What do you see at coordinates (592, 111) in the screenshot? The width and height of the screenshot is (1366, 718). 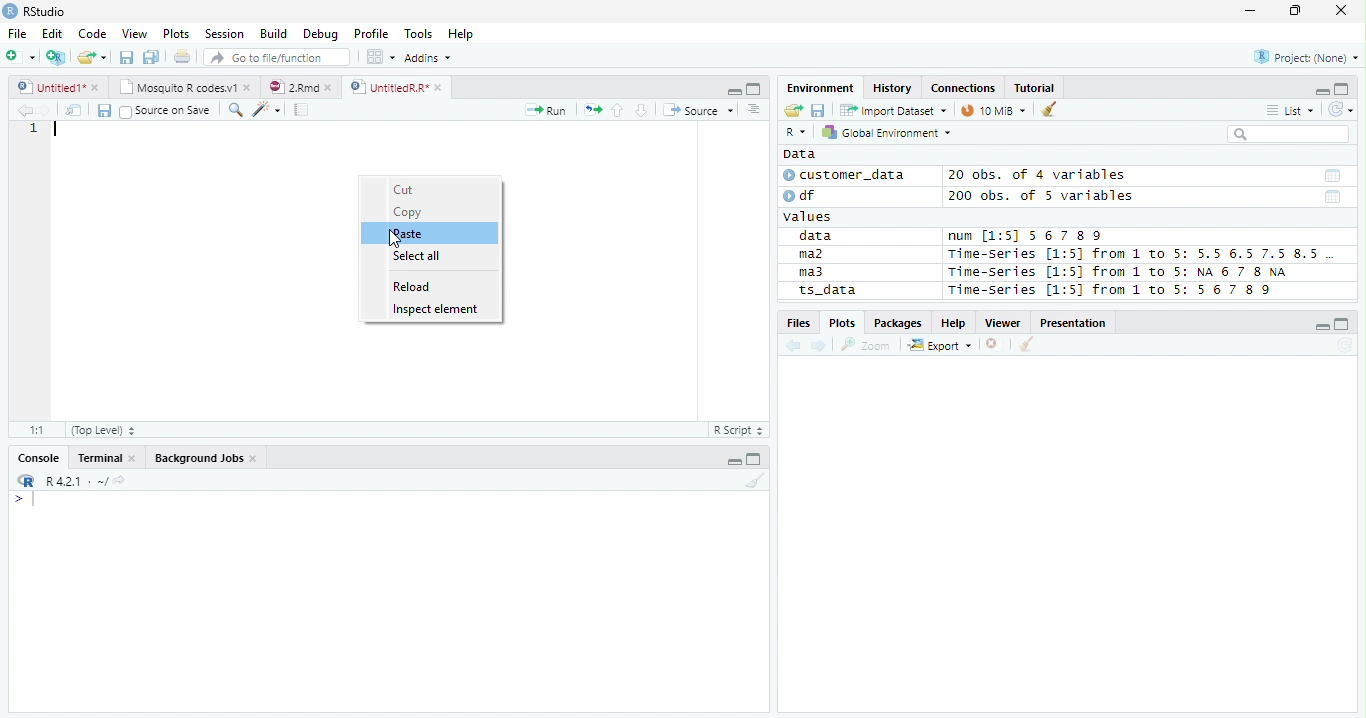 I see `Re-run` at bounding box center [592, 111].